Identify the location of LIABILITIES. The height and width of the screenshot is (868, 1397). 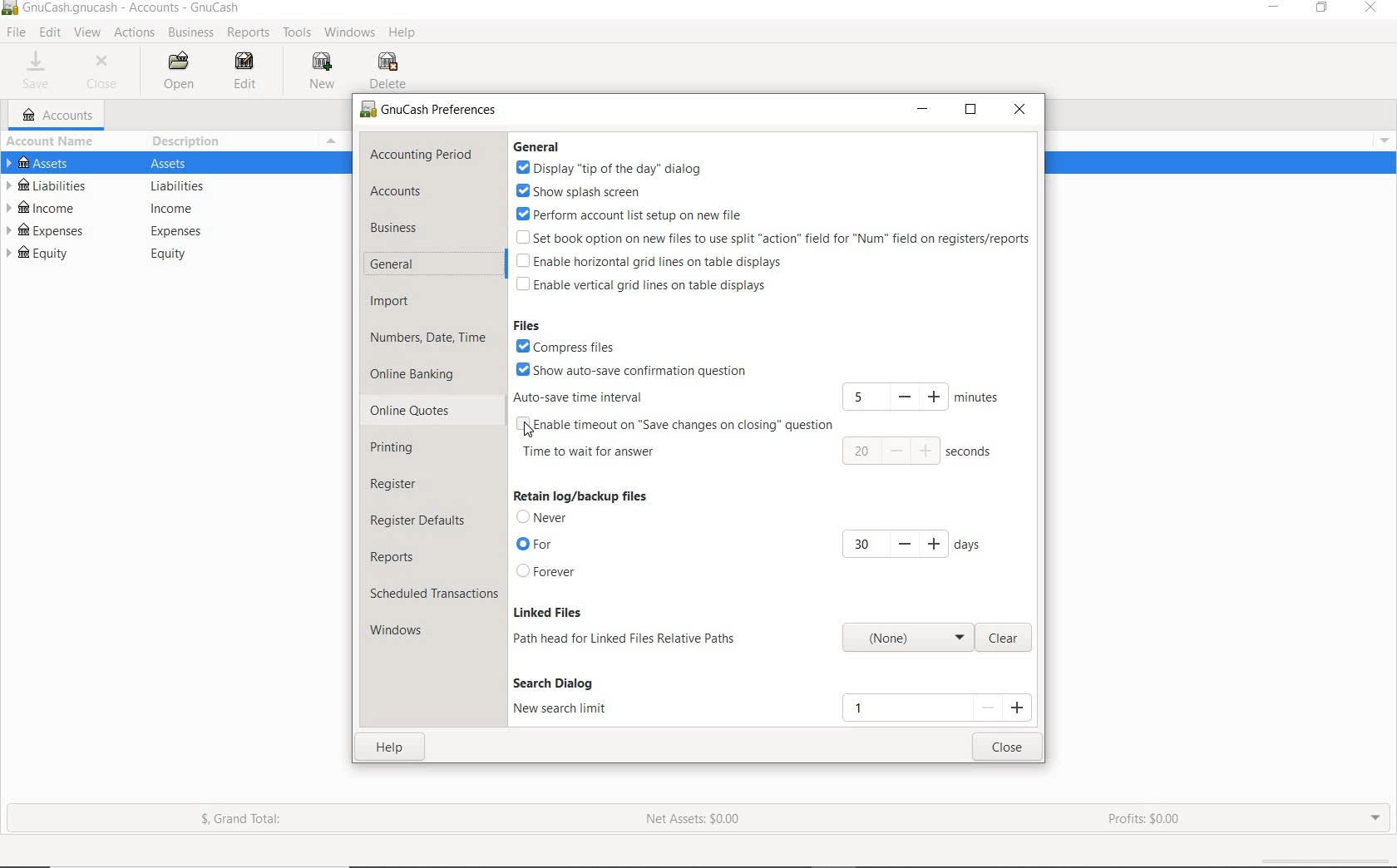
(168, 185).